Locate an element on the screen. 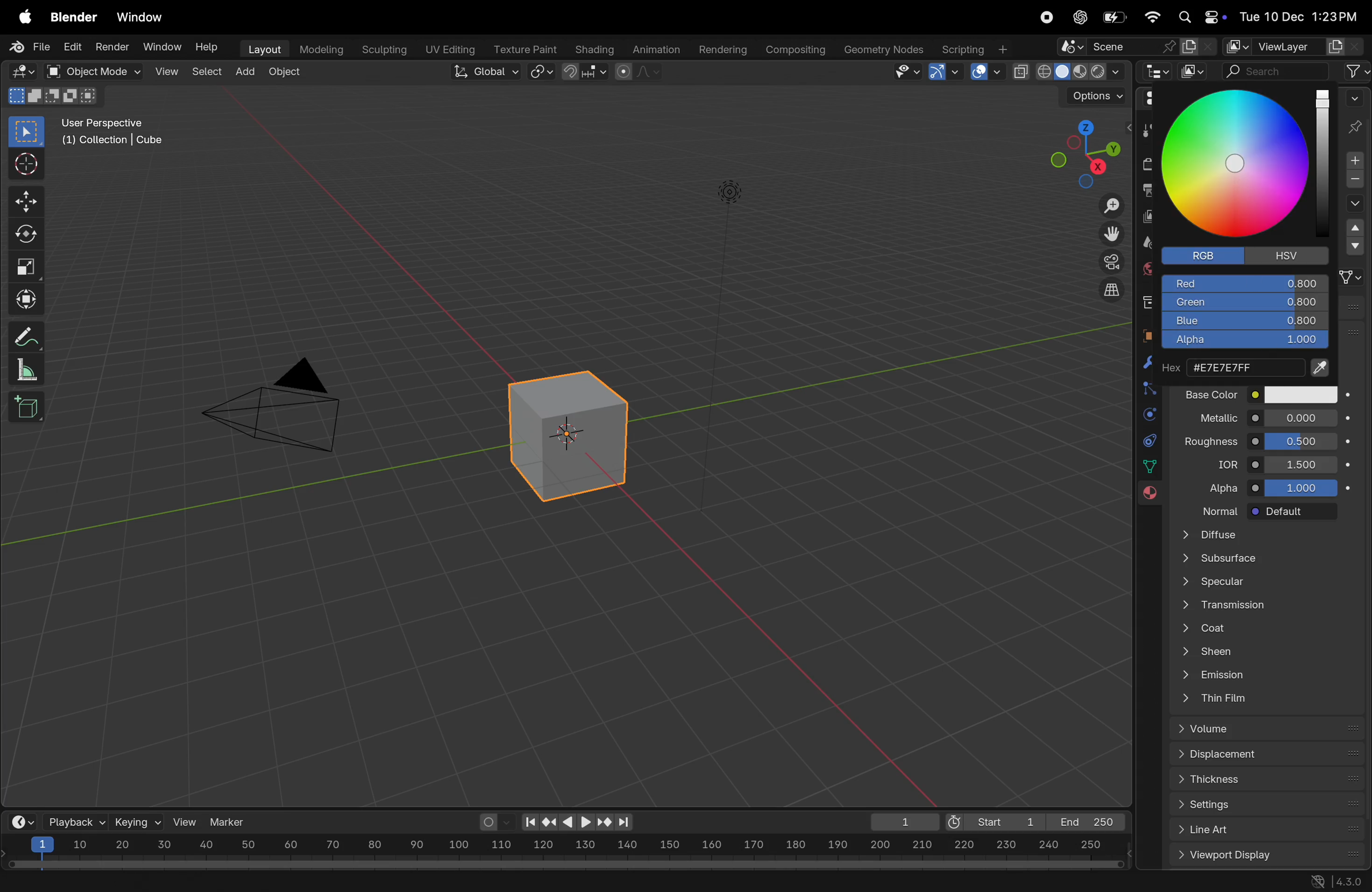 Image resolution: width=1372 pixels, height=892 pixels. normal is located at coordinates (1213, 510).